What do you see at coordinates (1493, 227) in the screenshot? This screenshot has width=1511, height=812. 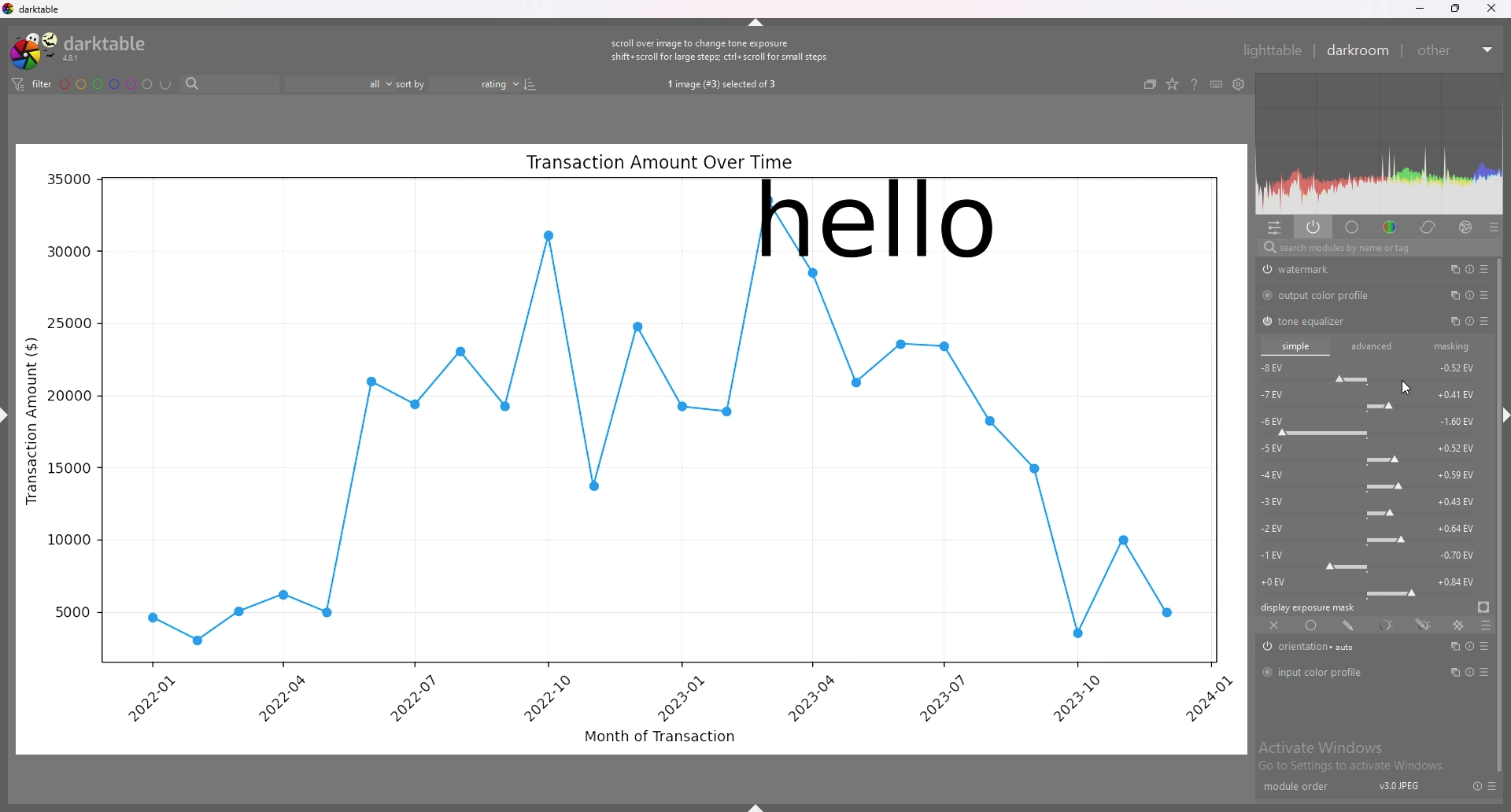 I see `presets` at bounding box center [1493, 227].